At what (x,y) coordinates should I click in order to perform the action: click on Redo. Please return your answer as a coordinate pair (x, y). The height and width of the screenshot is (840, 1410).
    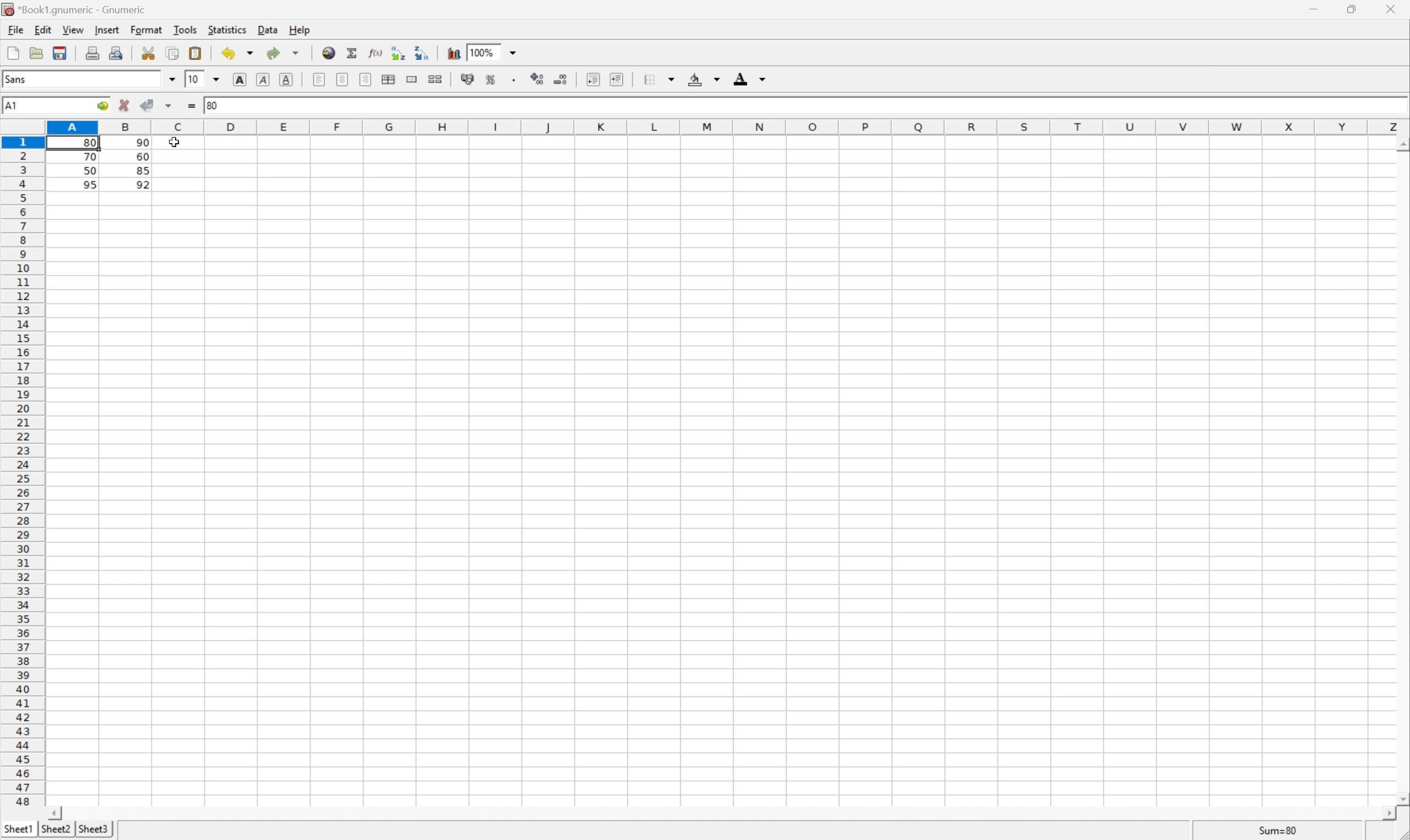
    Looking at the image, I should click on (271, 51).